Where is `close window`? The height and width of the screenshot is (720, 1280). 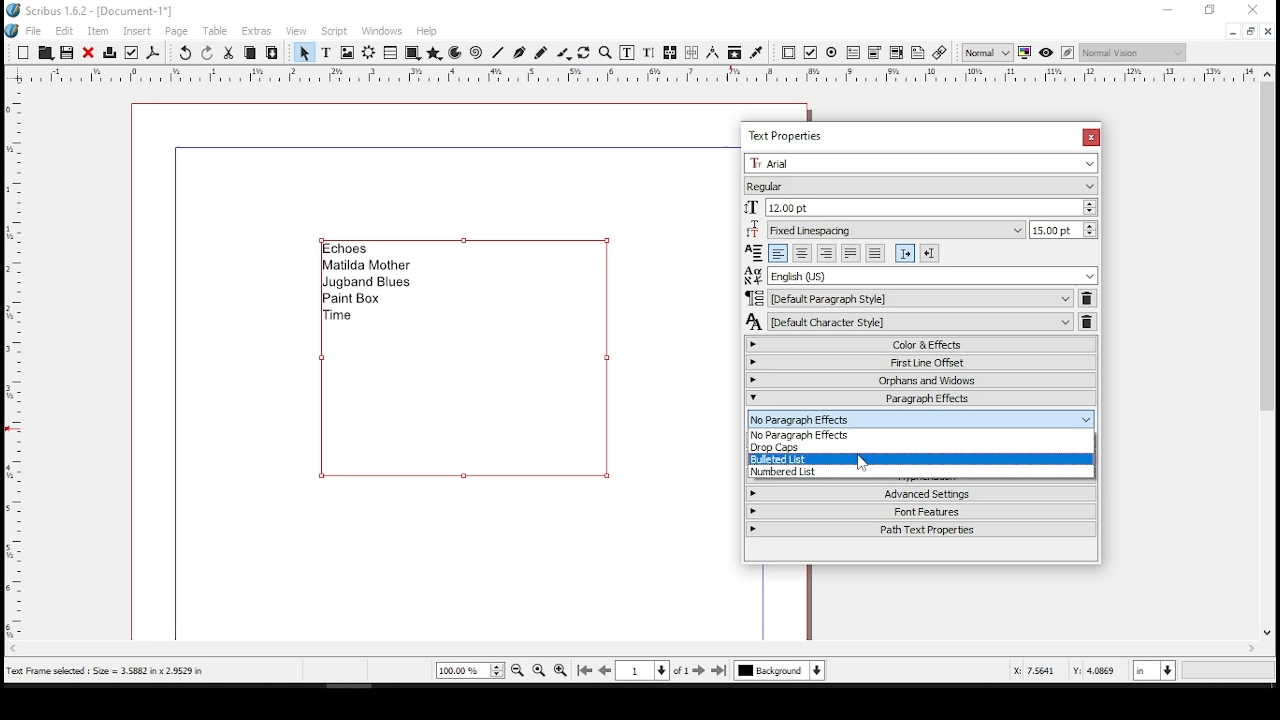
close window is located at coordinates (1268, 31).